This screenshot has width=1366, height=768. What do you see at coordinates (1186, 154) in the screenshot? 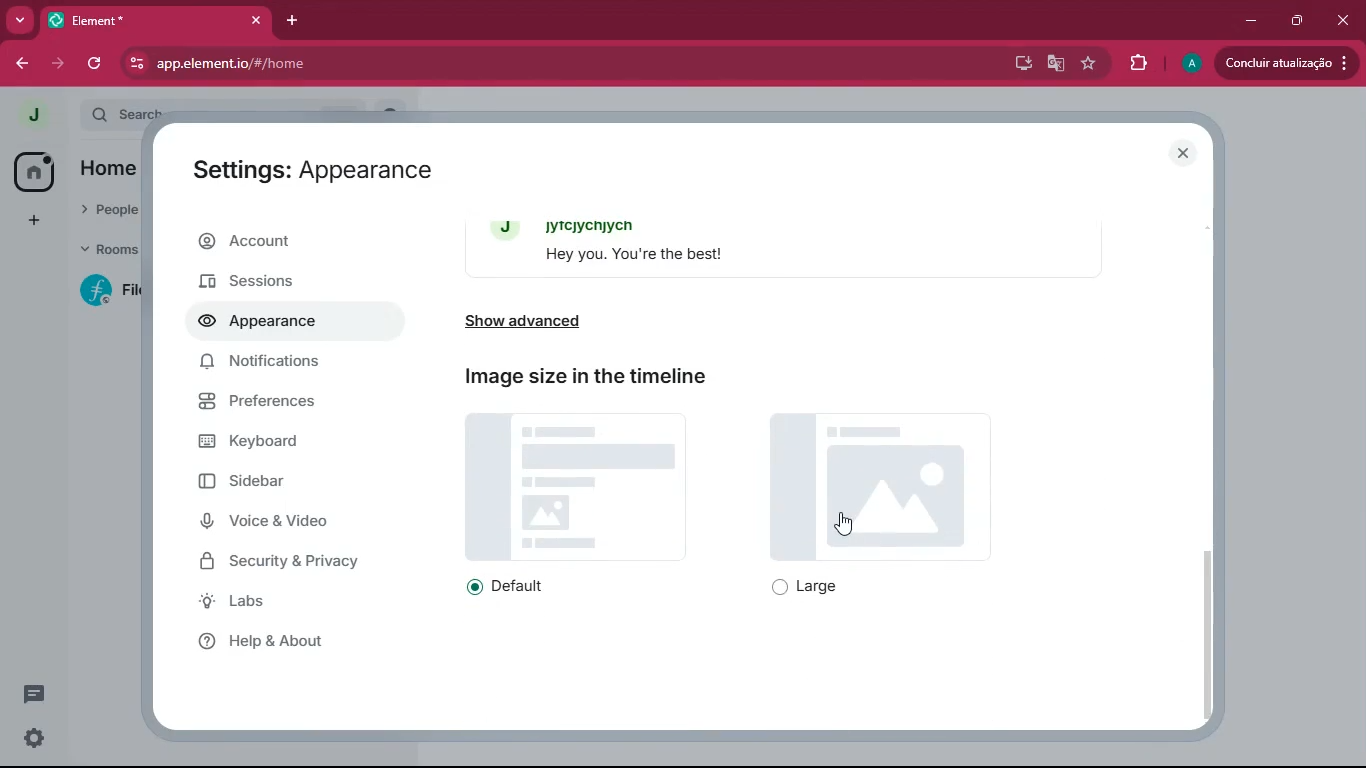
I see `close` at bounding box center [1186, 154].